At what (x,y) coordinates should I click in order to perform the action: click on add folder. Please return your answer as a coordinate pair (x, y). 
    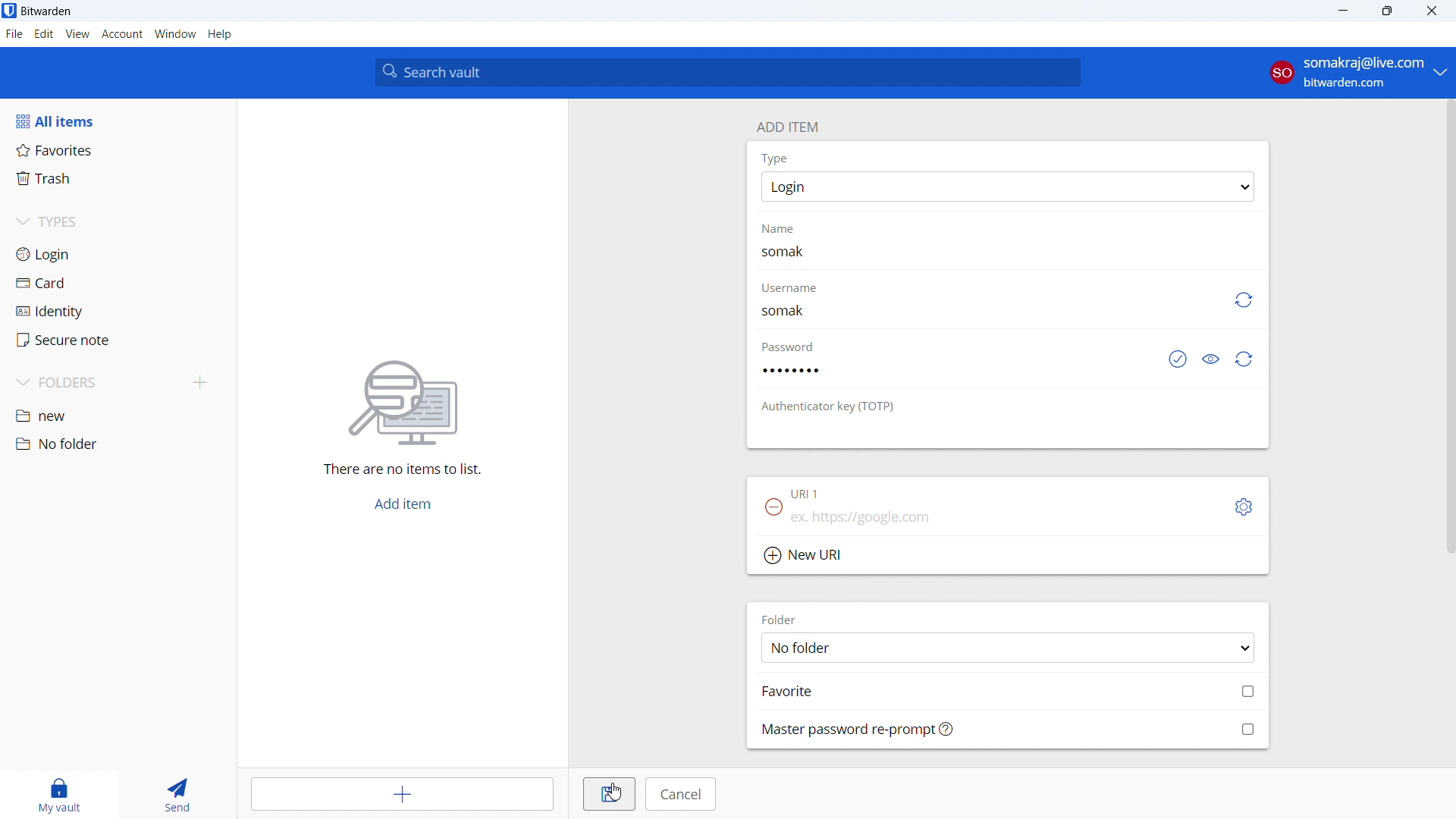
    Looking at the image, I should click on (200, 384).